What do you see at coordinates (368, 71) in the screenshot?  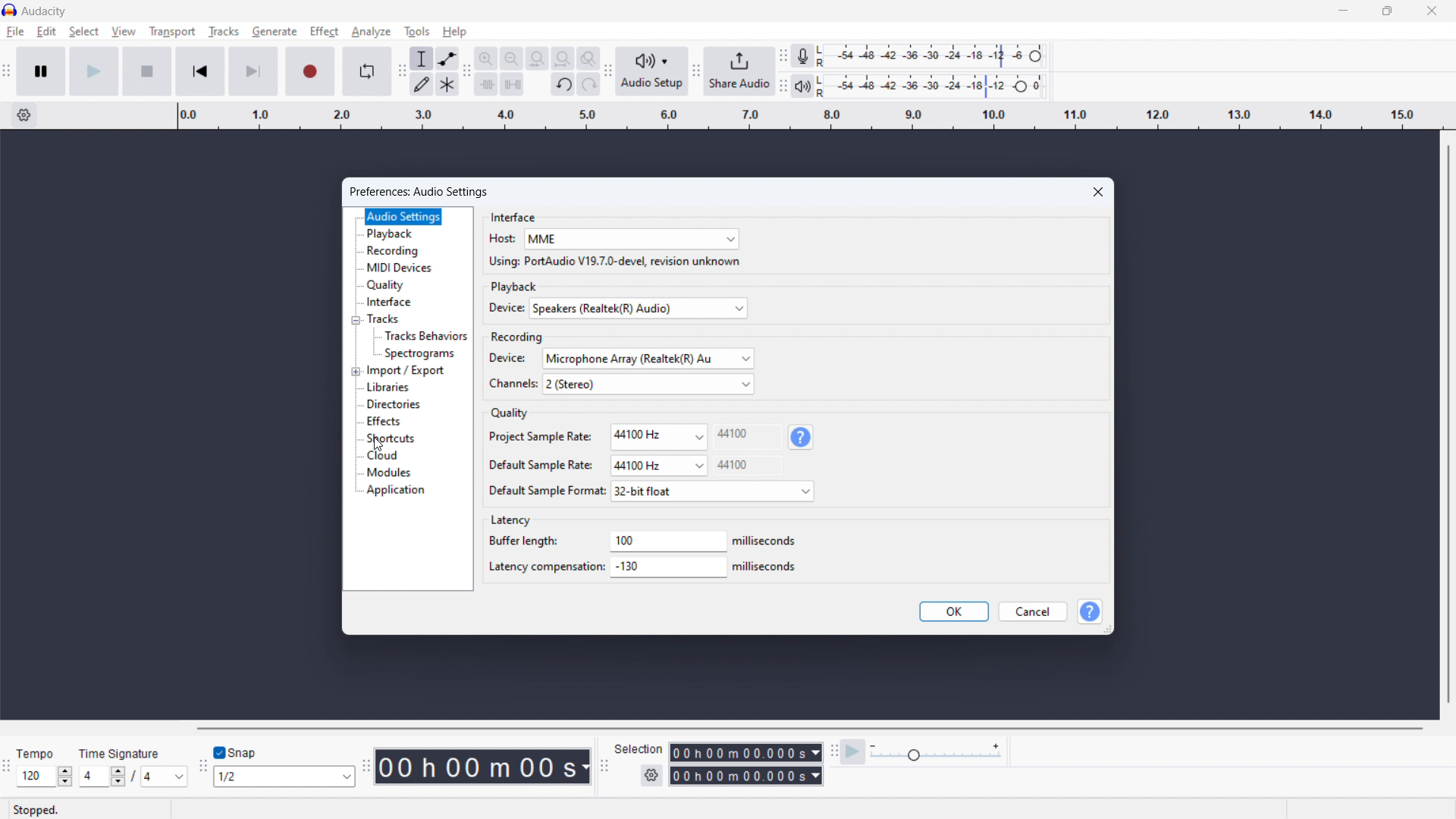 I see `enable loop` at bounding box center [368, 71].